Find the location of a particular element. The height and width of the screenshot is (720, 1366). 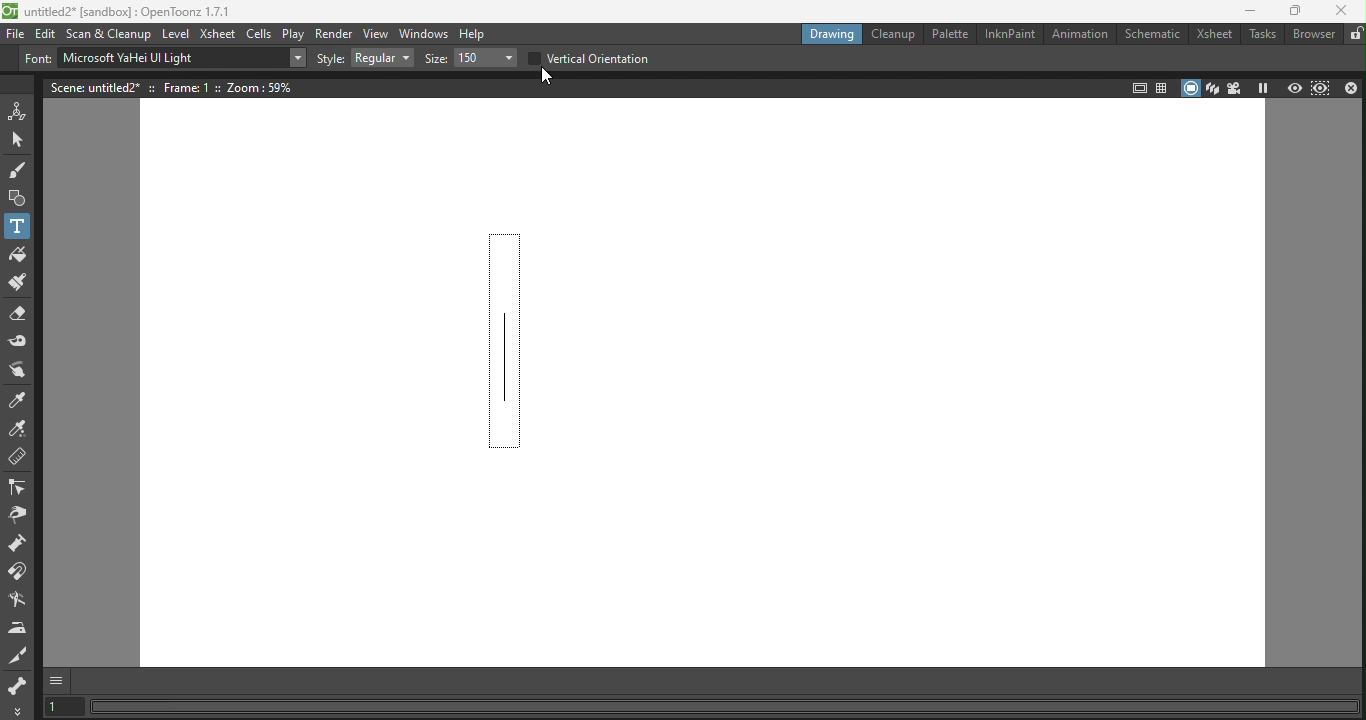

Cells is located at coordinates (260, 35).